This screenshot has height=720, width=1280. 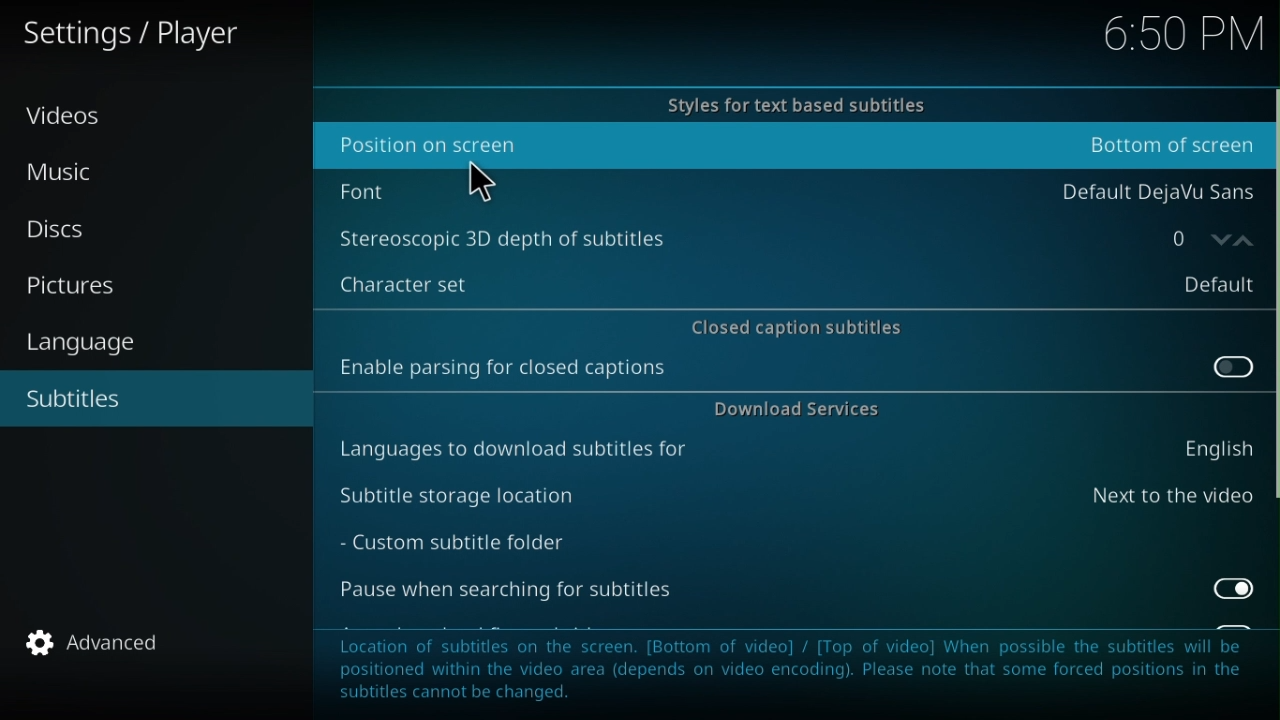 I want to click on Font, so click(x=793, y=187).